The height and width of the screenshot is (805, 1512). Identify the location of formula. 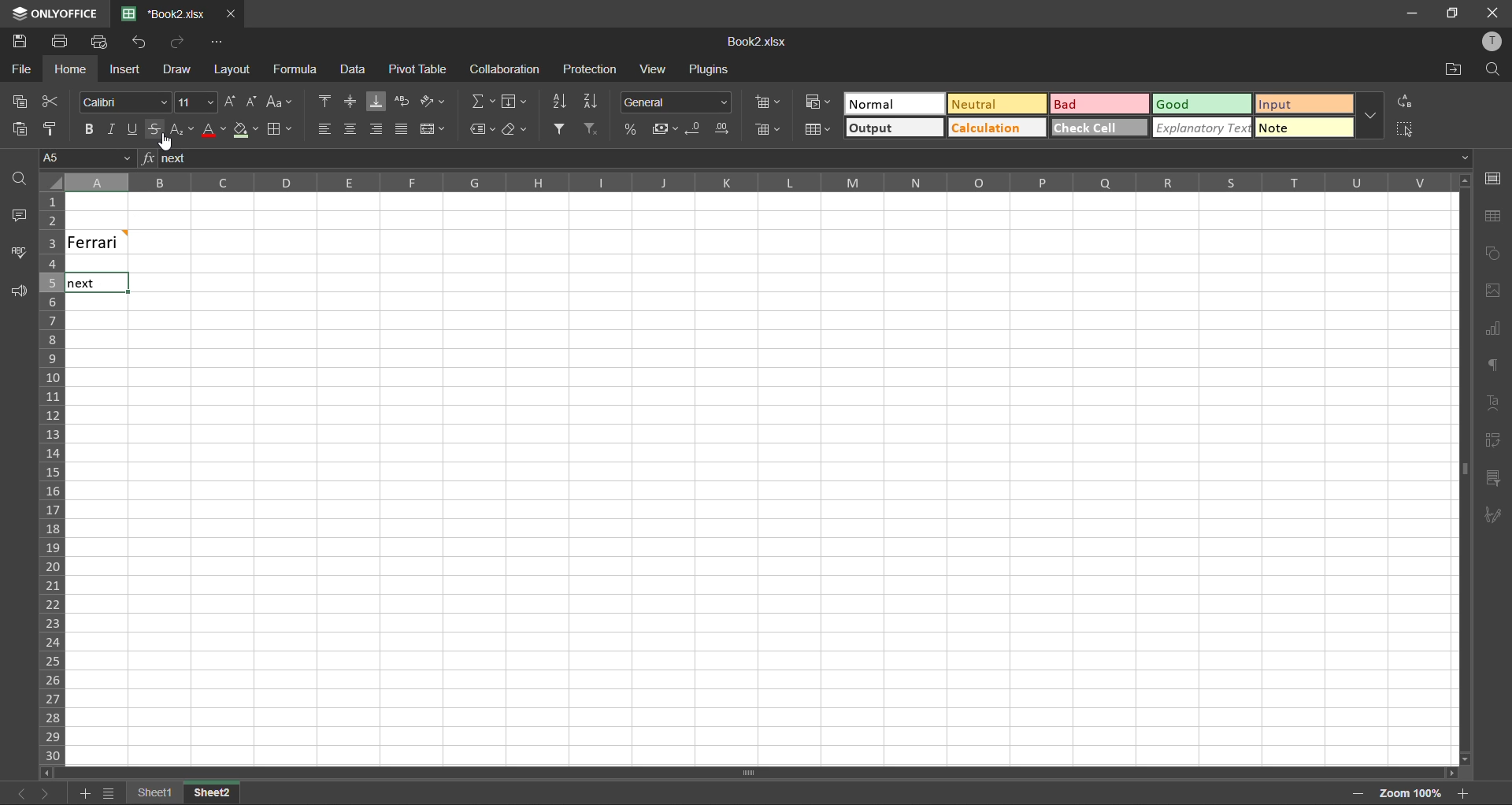
(295, 72).